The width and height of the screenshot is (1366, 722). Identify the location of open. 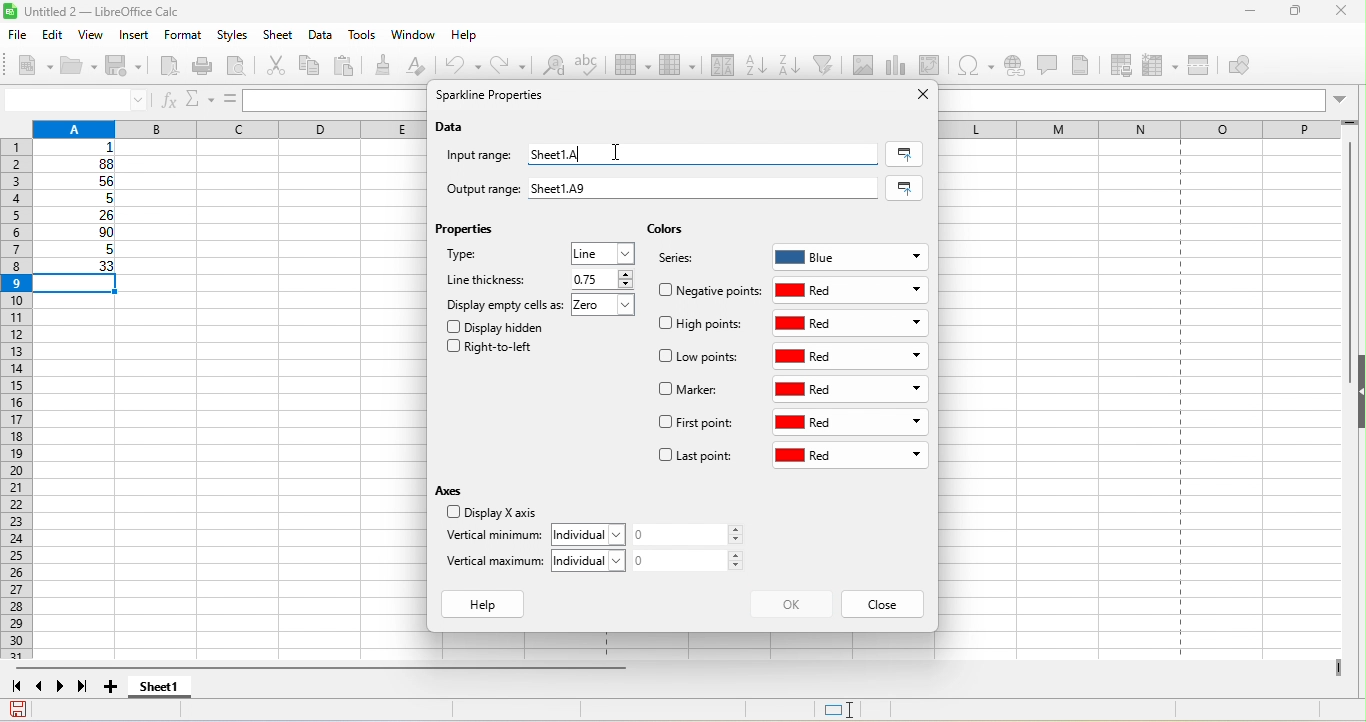
(80, 67).